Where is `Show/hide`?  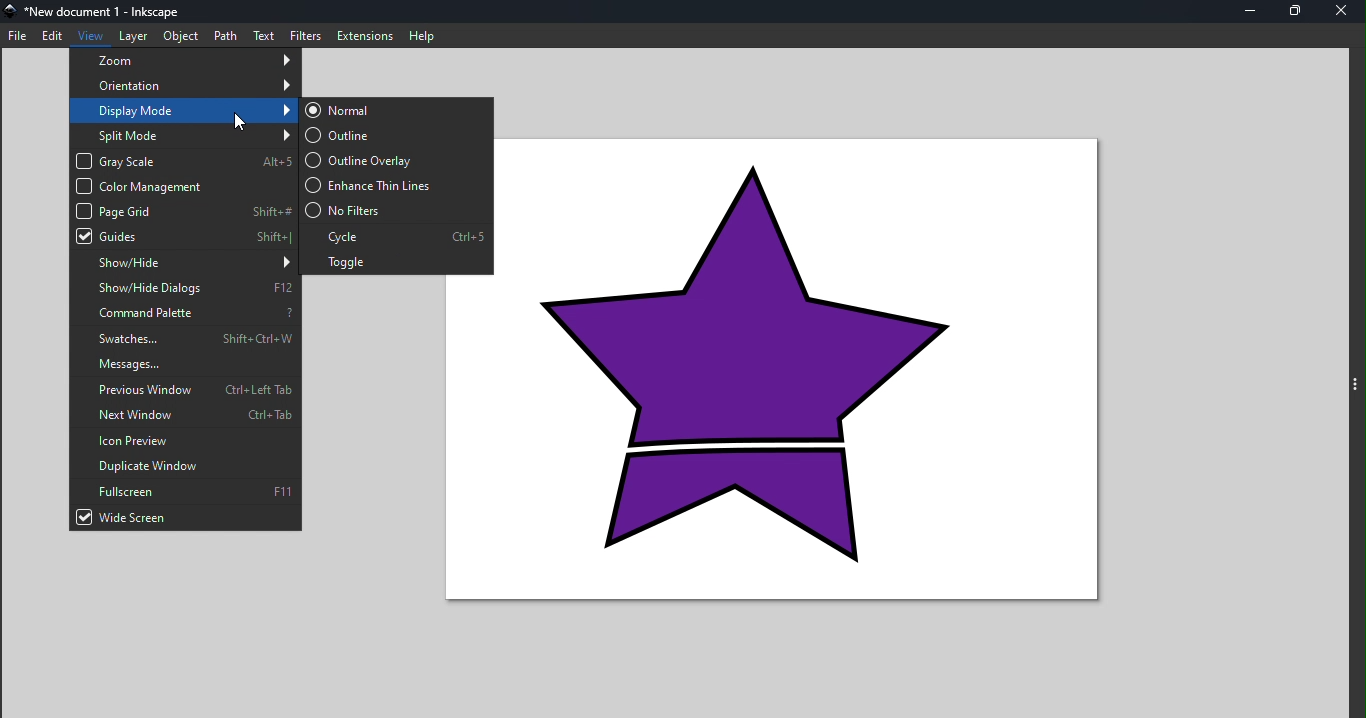
Show/hide is located at coordinates (182, 264).